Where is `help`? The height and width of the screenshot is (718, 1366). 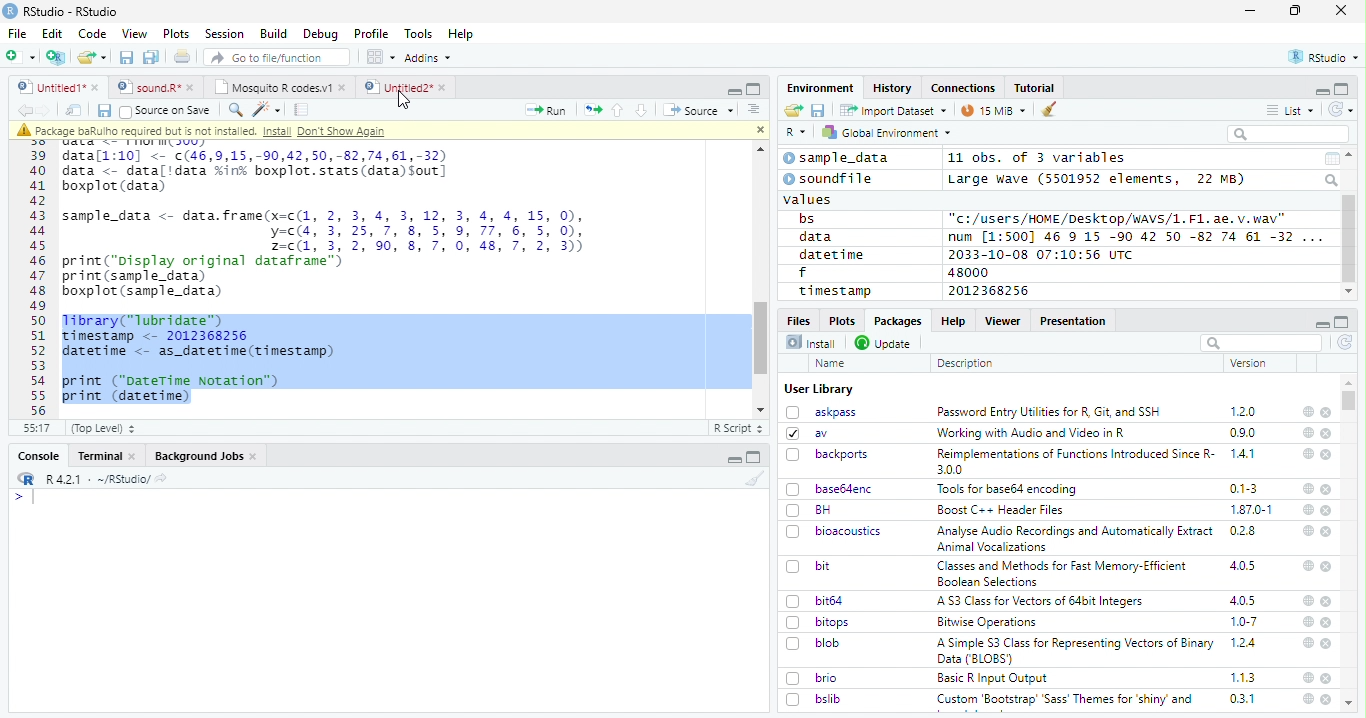 help is located at coordinates (1306, 530).